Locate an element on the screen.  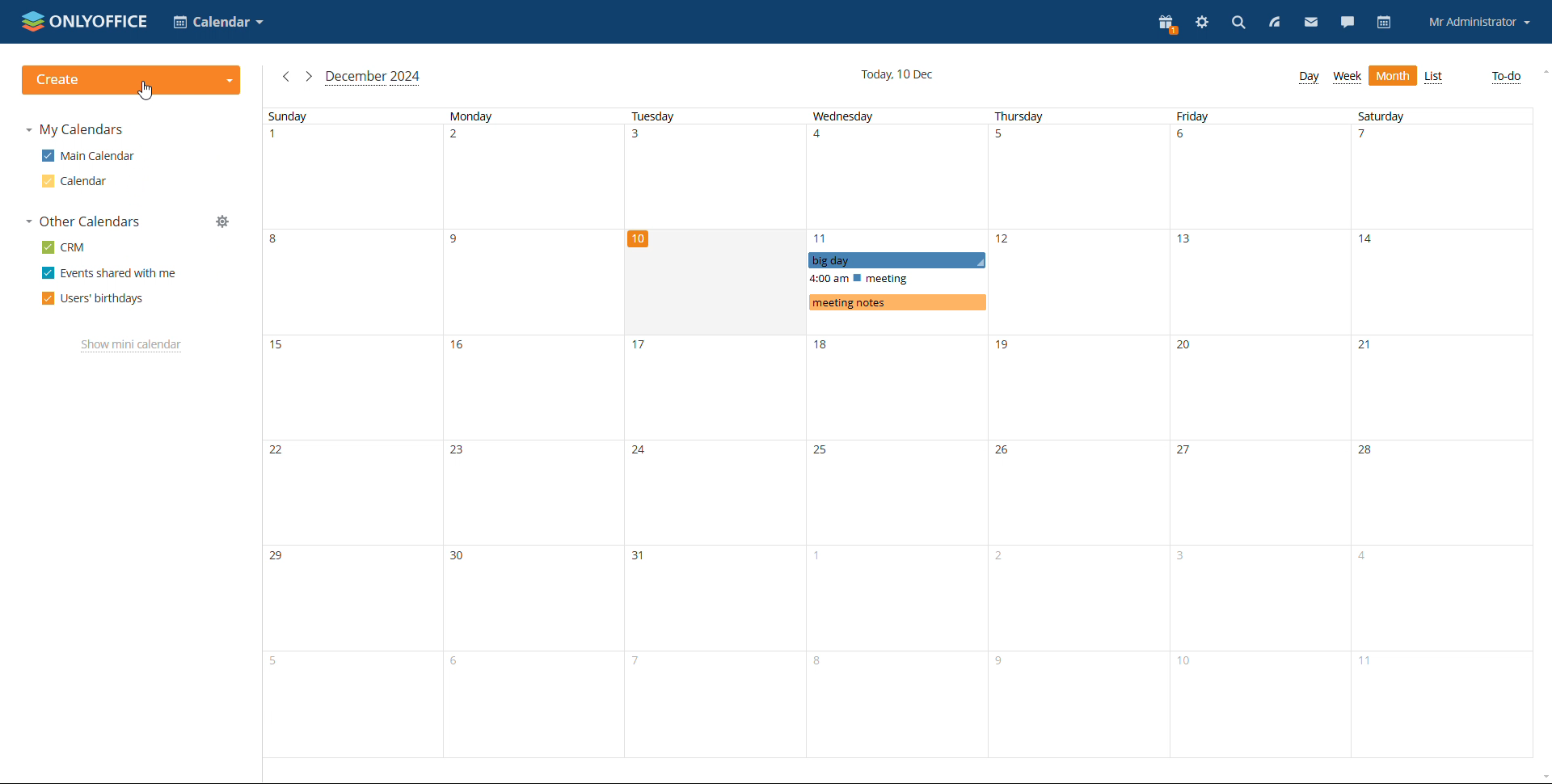
events shared with me is located at coordinates (108, 272).